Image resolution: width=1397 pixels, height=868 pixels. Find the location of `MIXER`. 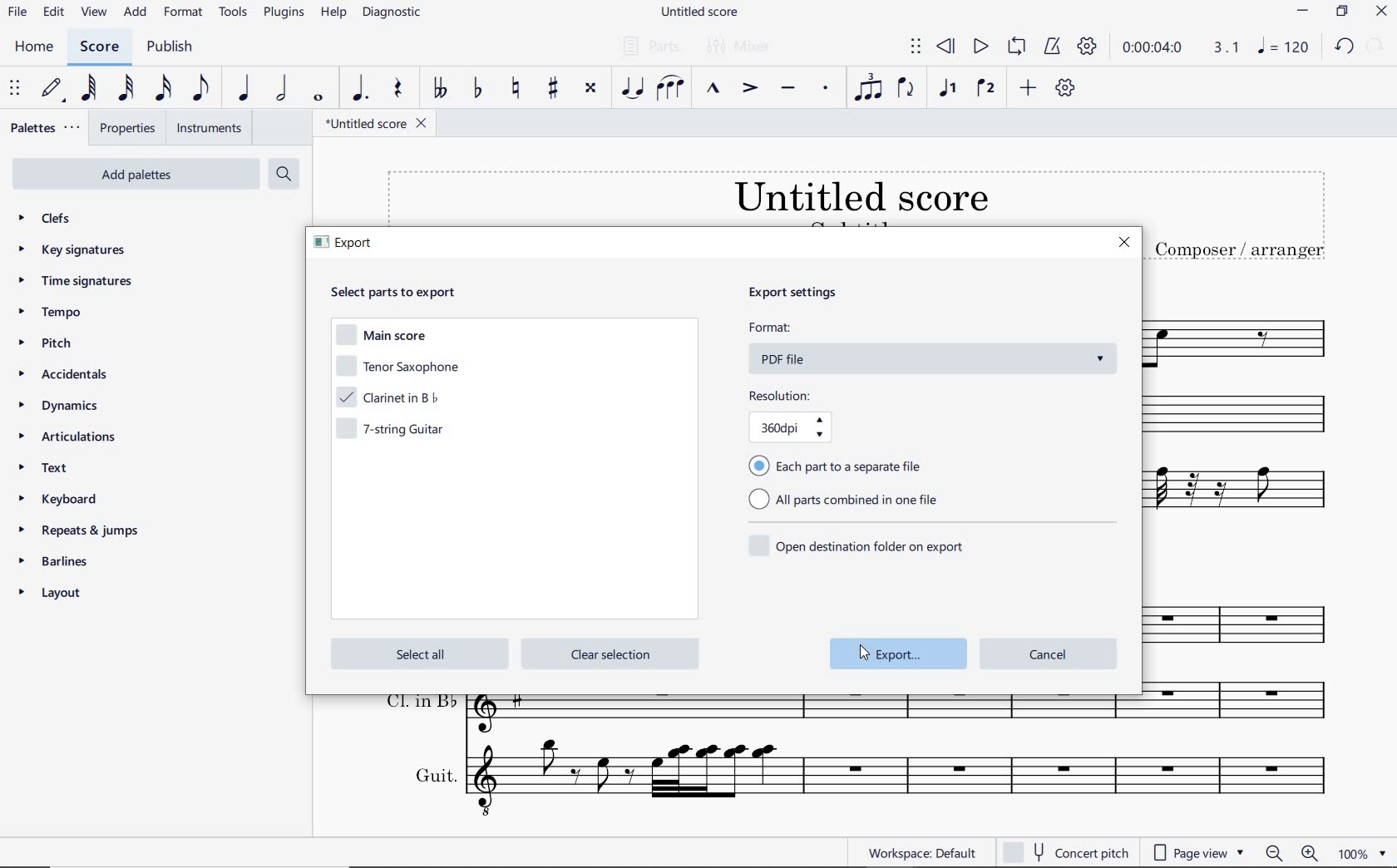

MIXER is located at coordinates (745, 47).